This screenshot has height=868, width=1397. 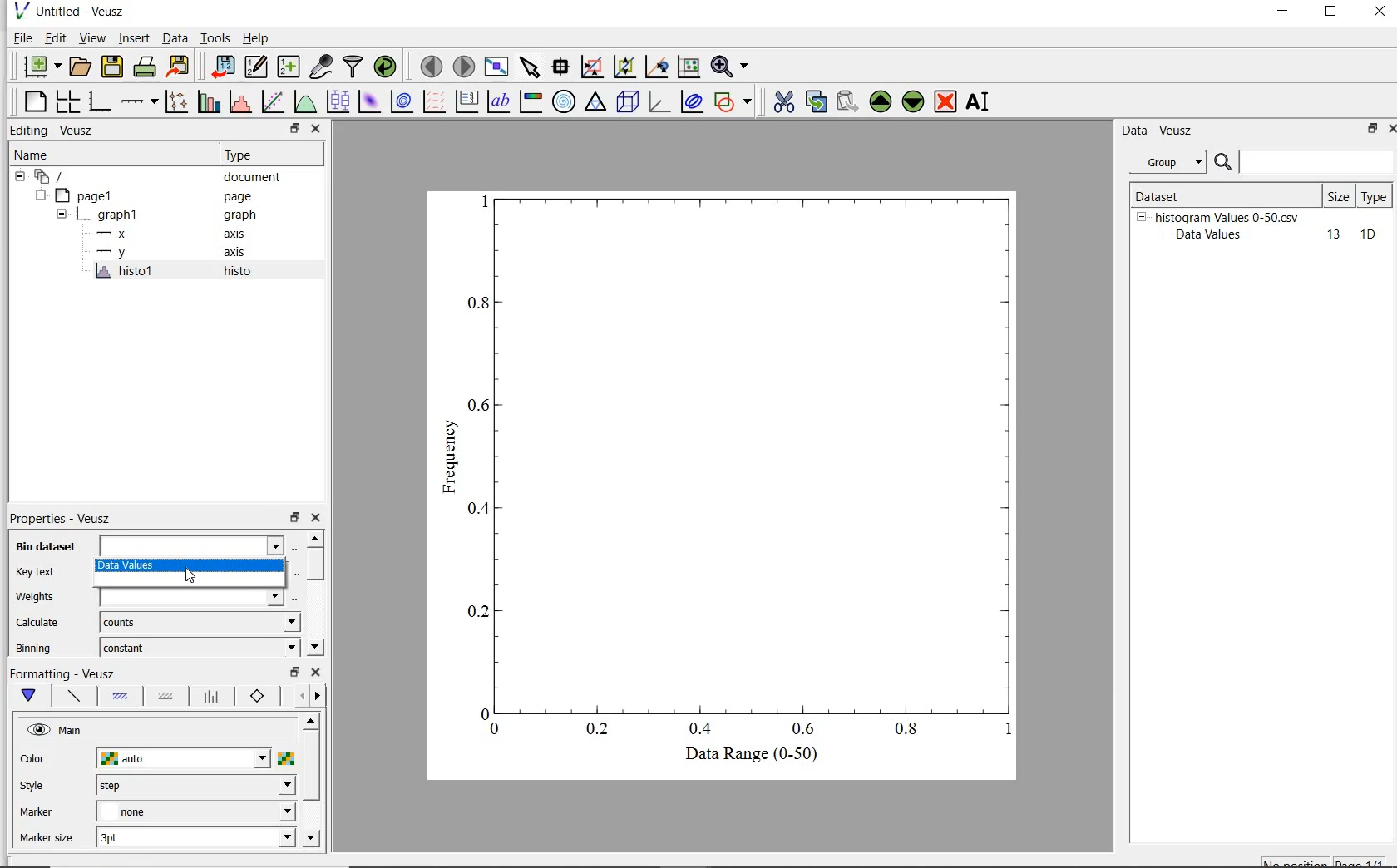 What do you see at coordinates (259, 38) in the screenshot?
I see `help` at bounding box center [259, 38].